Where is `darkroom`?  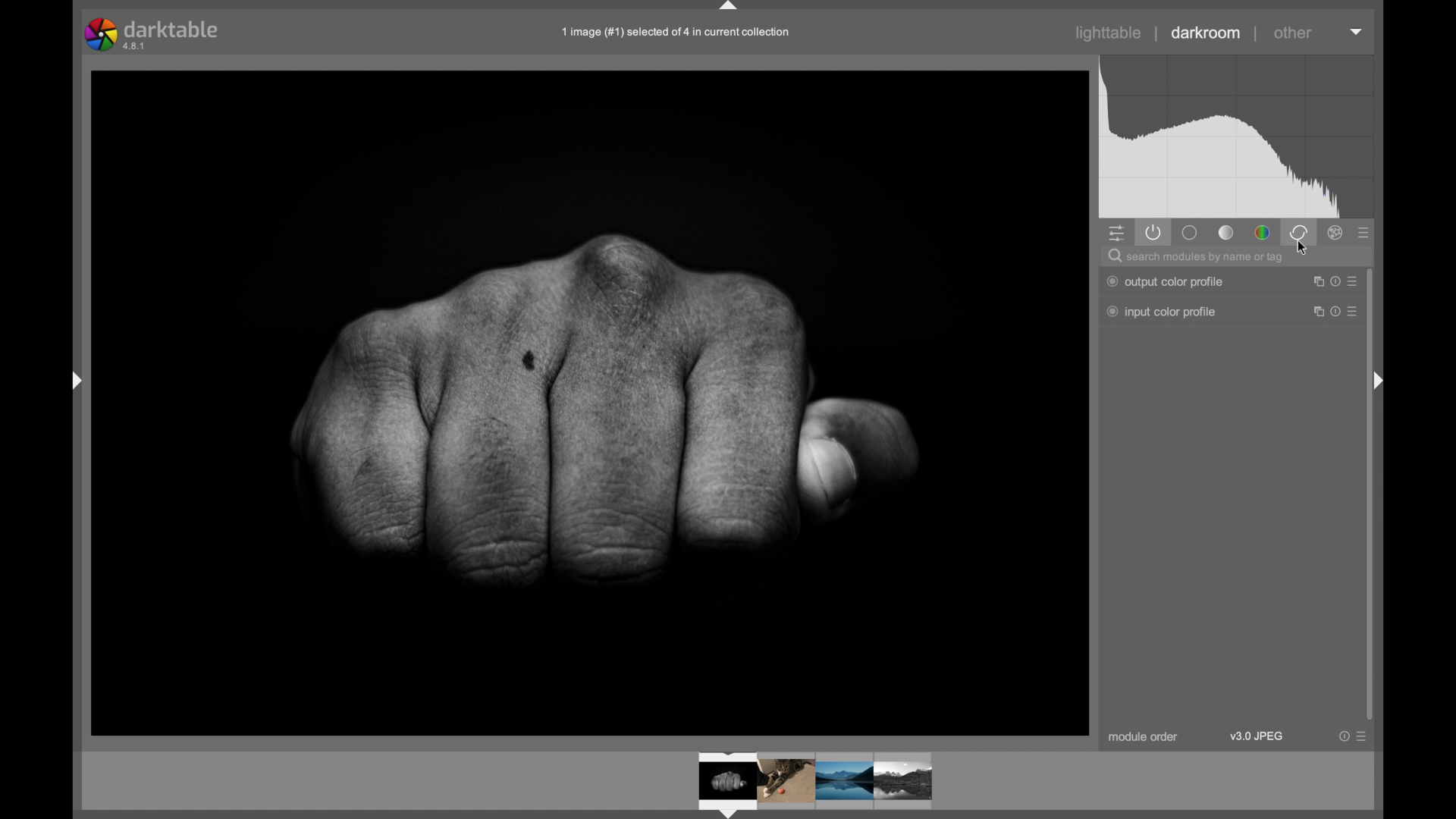 darkroom is located at coordinates (1207, 33).